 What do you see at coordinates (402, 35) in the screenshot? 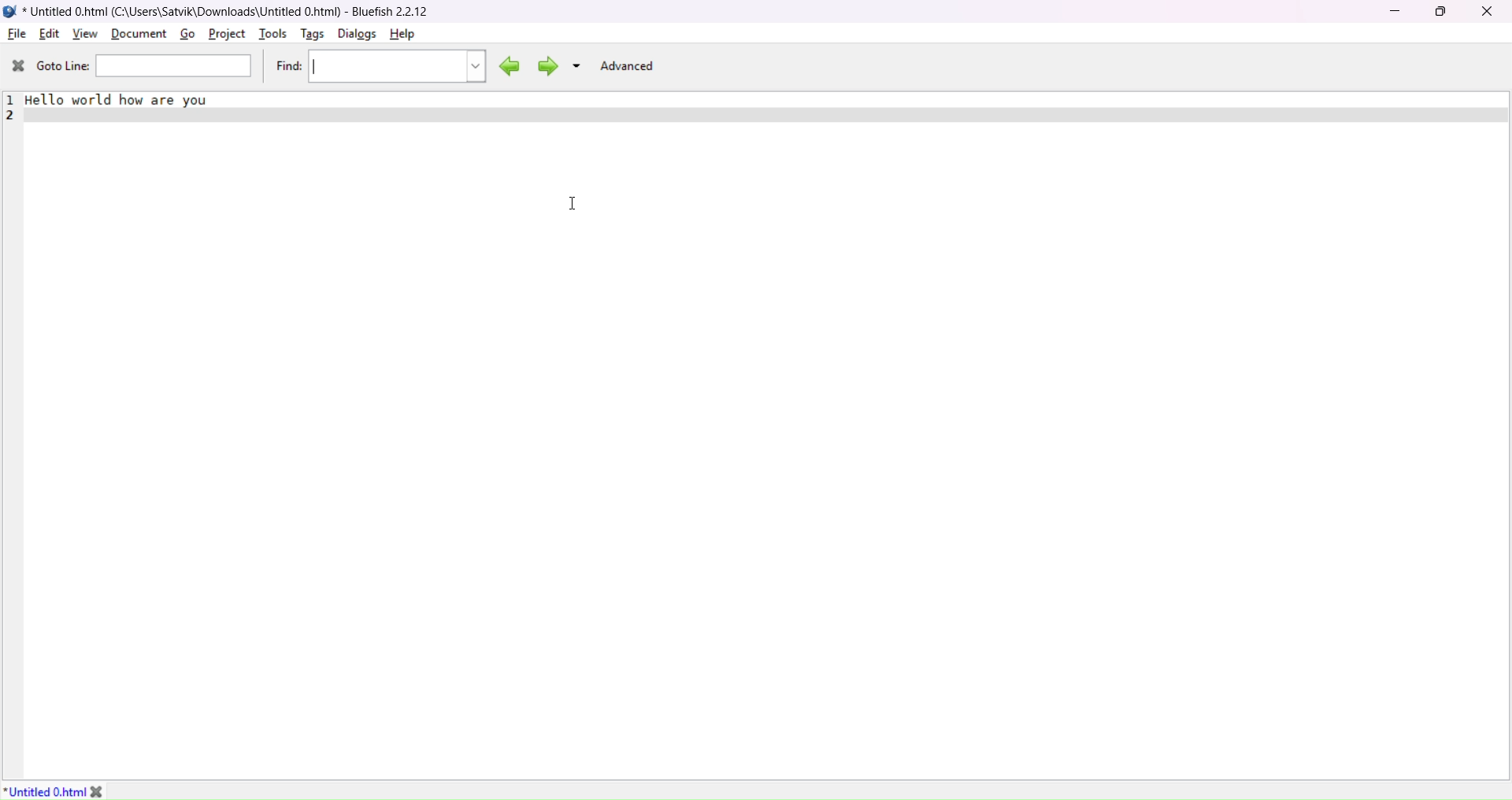
I see `help` at bounding box center [402, 35].